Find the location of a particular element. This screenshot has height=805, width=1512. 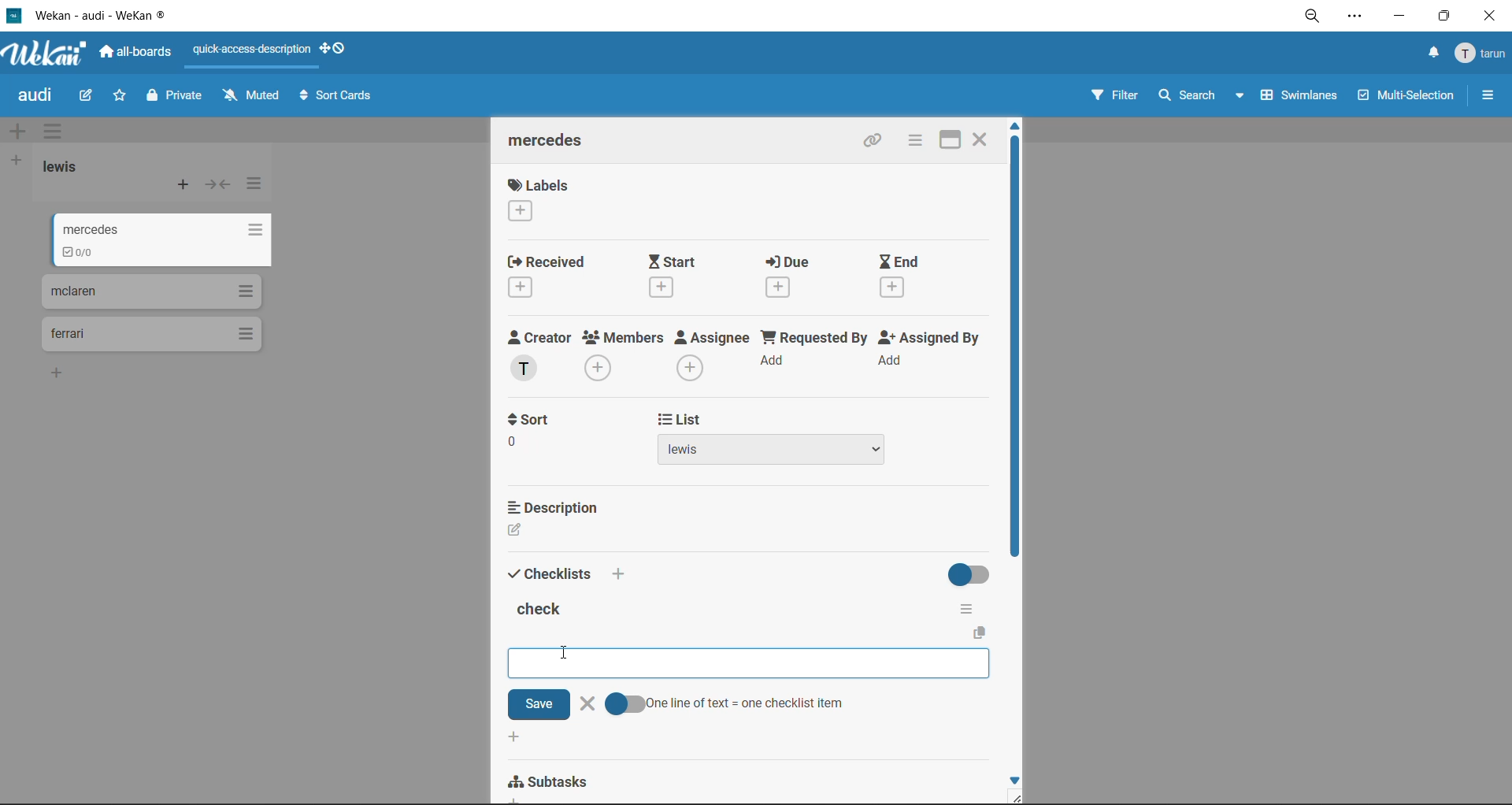

one line of text = one checklist items is located at coordinates (732, 703).